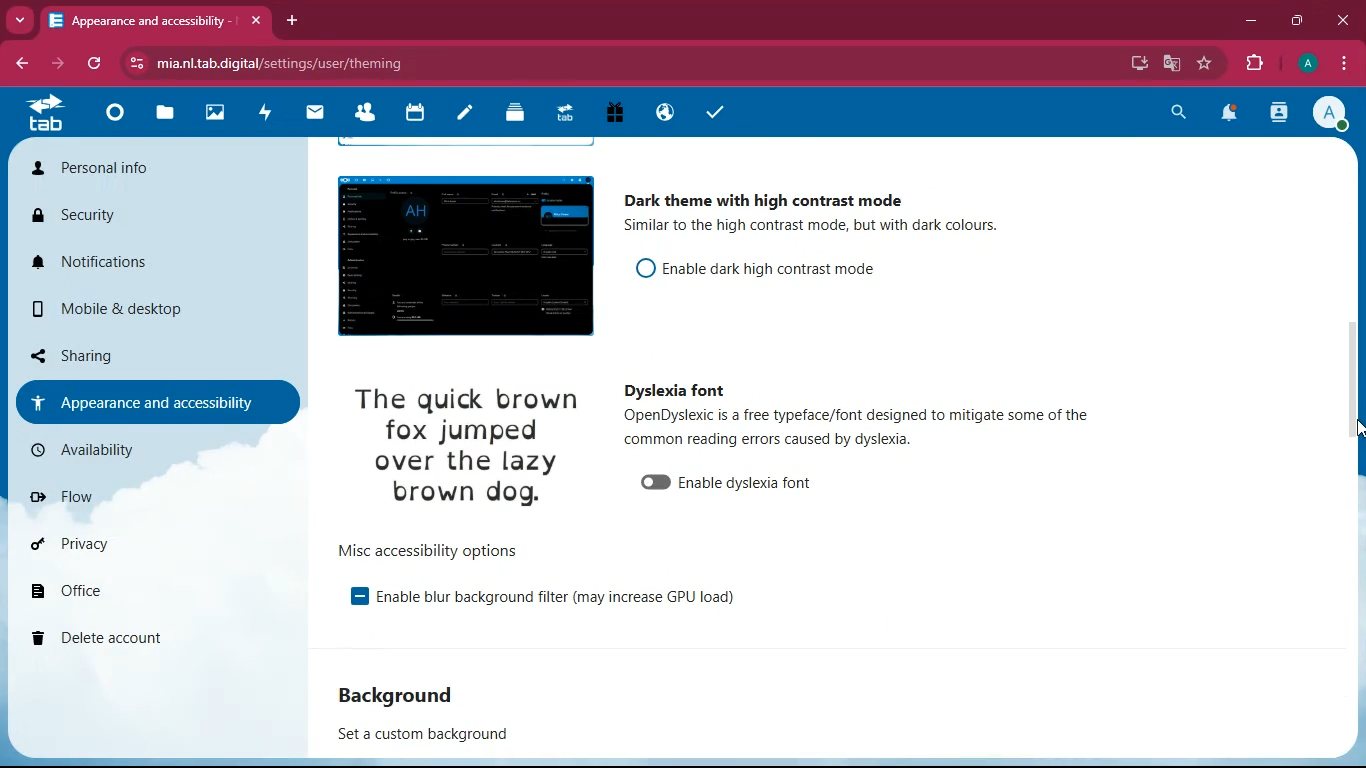  I want to click on cursor, so click(1351, 427).